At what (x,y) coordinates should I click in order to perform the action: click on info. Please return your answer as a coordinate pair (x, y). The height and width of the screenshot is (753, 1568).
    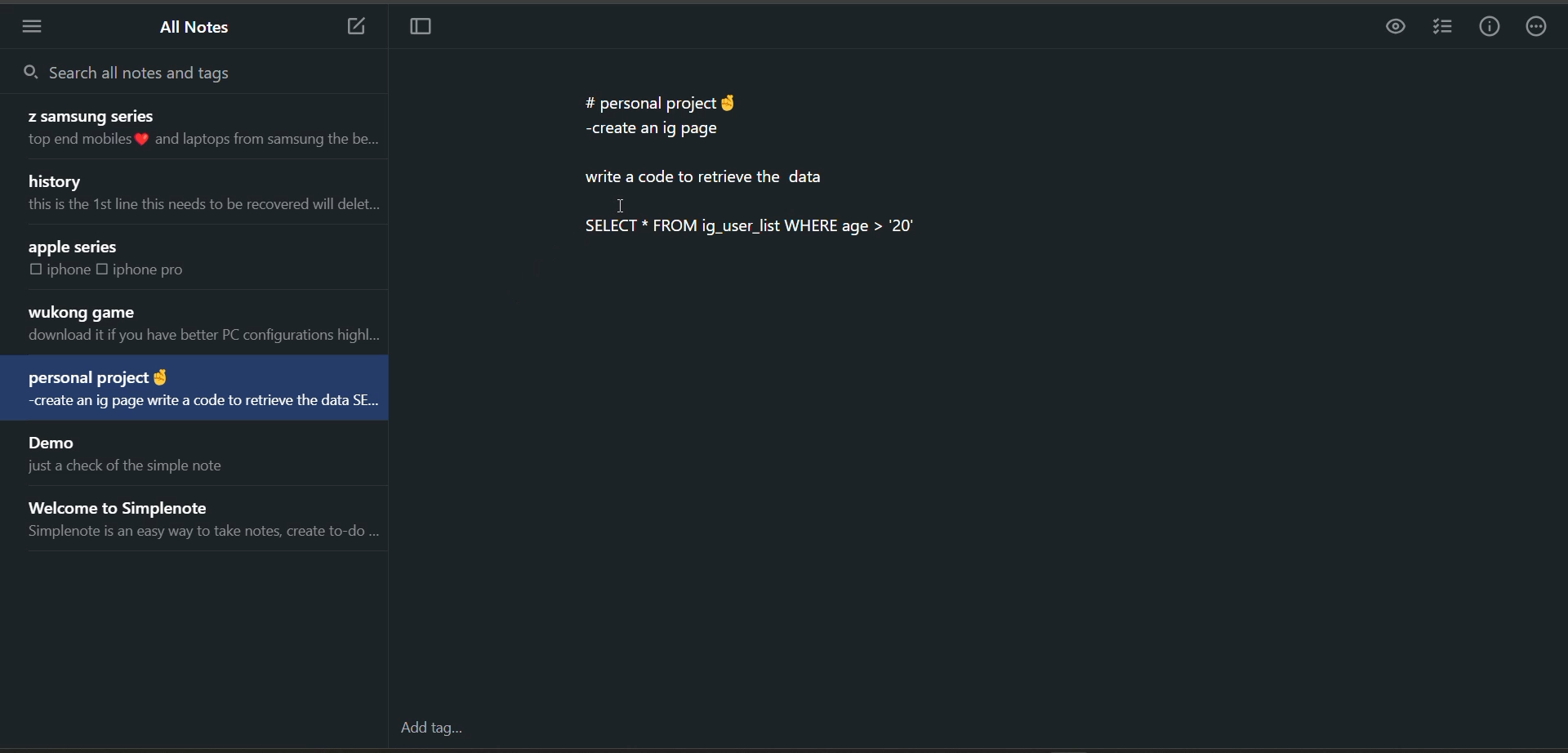
    Looking at the image, I should click on (1490, 27).